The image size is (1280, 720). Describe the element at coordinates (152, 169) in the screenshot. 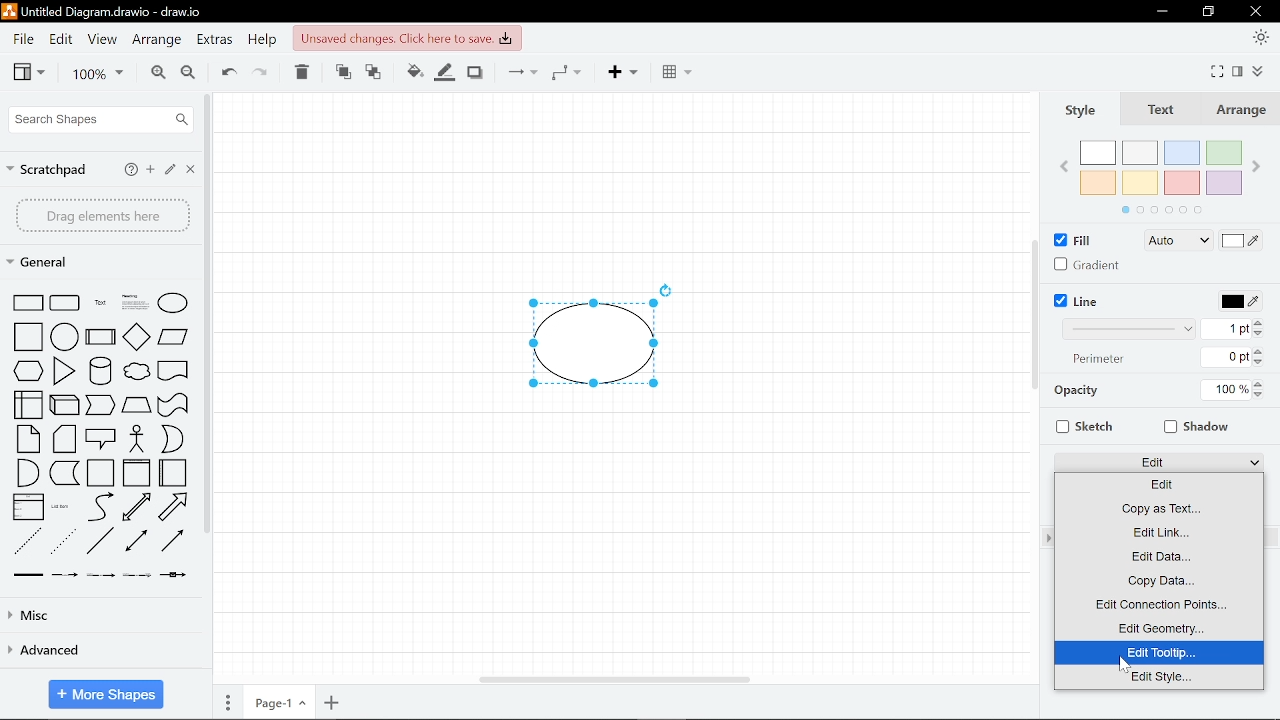

I see `Add scratchpad` at that location.